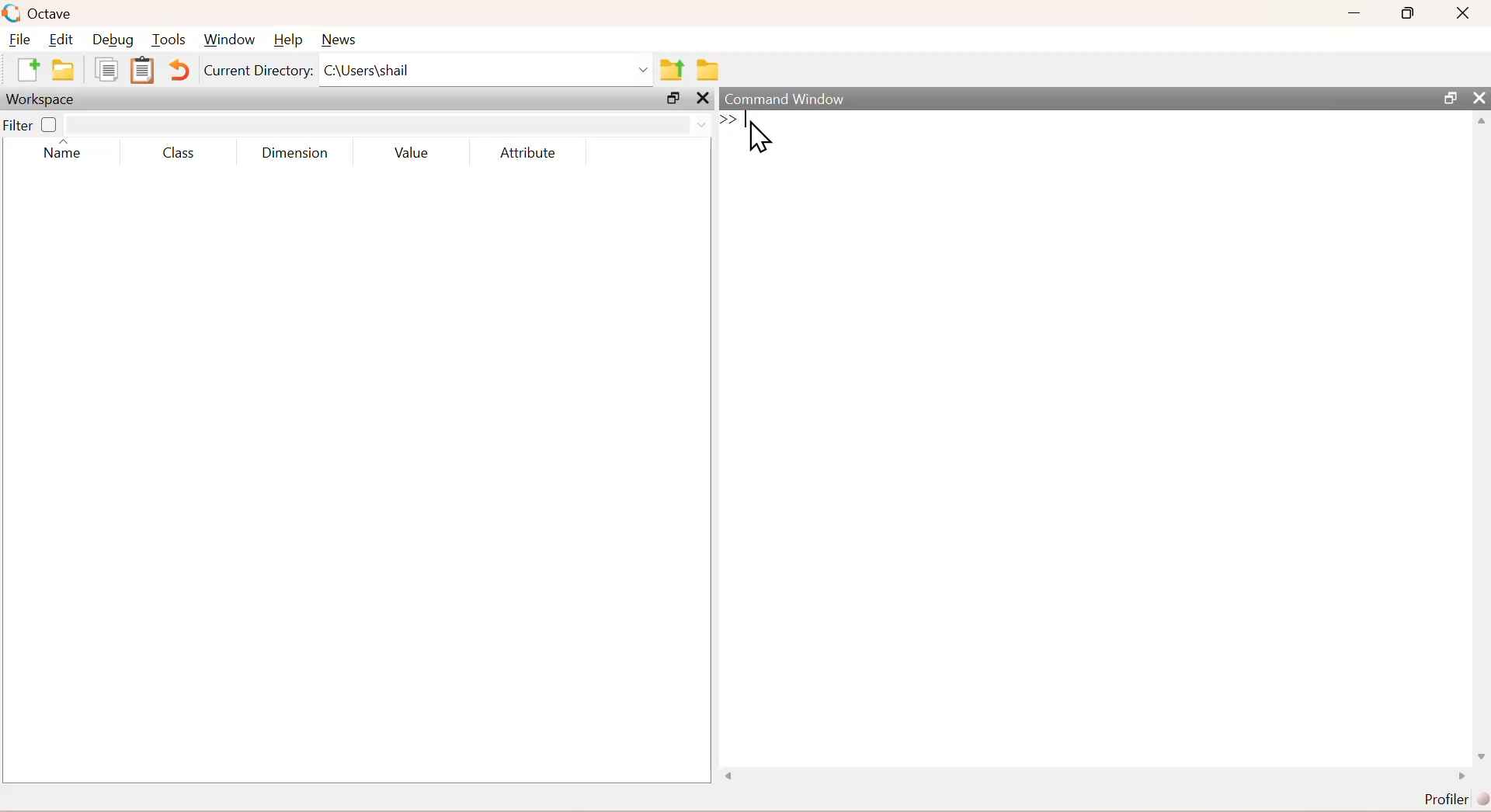 Image resolution: width=1491 pixels, height=812 pixels. Describe the element at coordinates (231, 37) in the screenshot. I see `Window` at that location.